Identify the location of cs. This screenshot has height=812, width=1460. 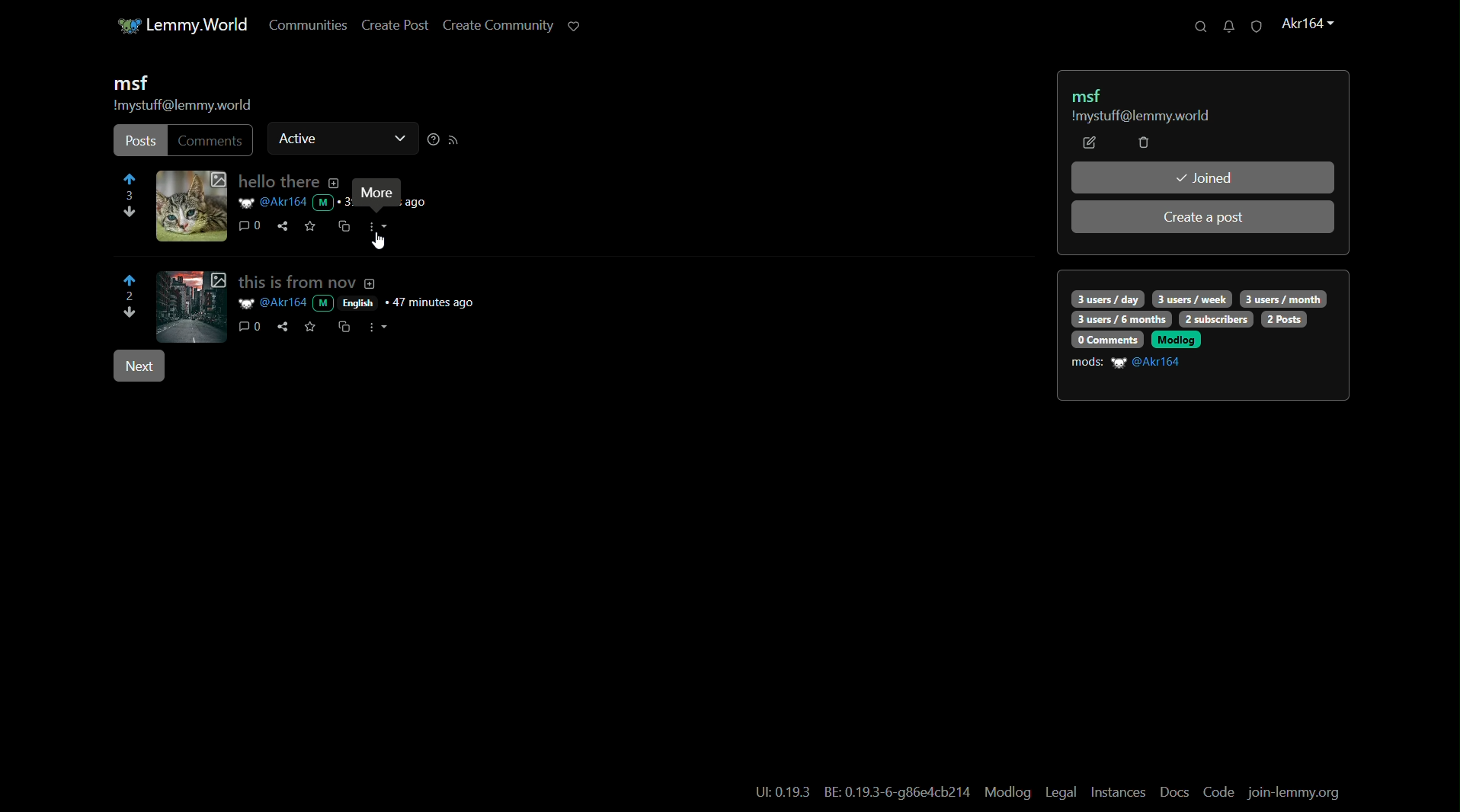
(343, 326).